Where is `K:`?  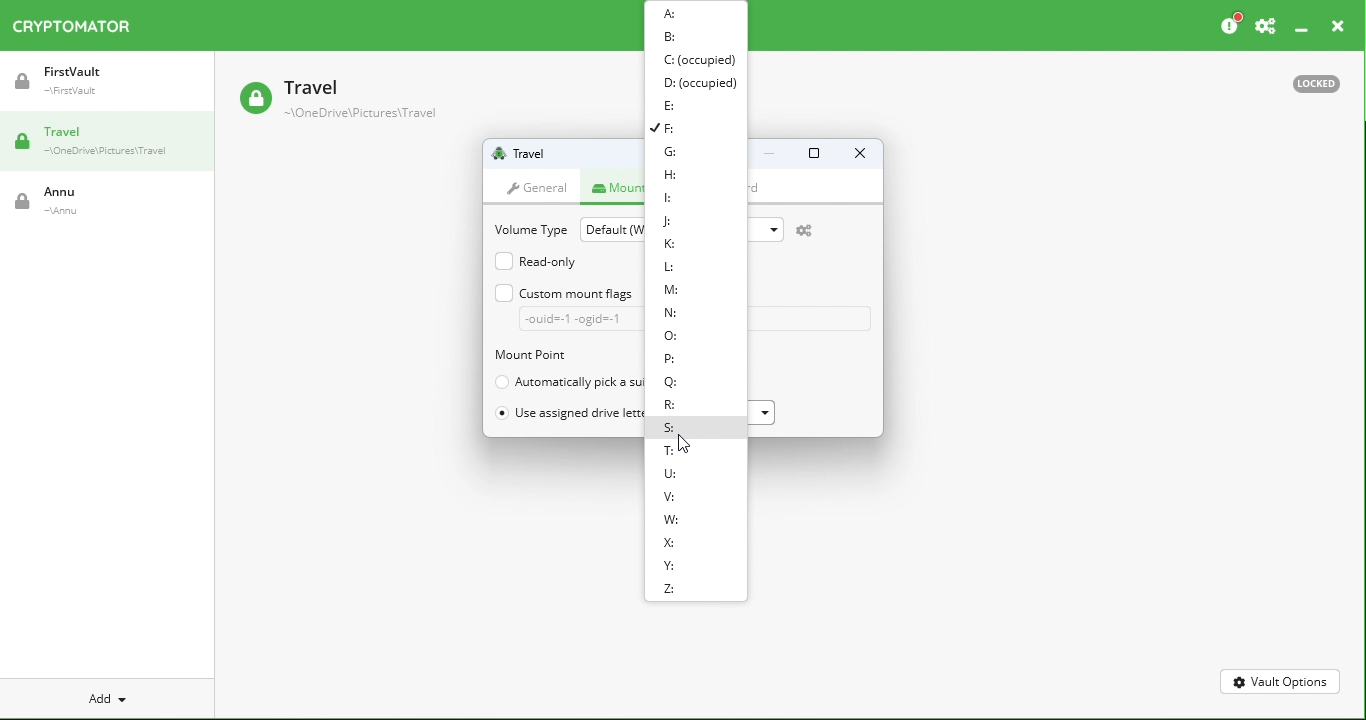 K: is located at coordinates (665, 242).